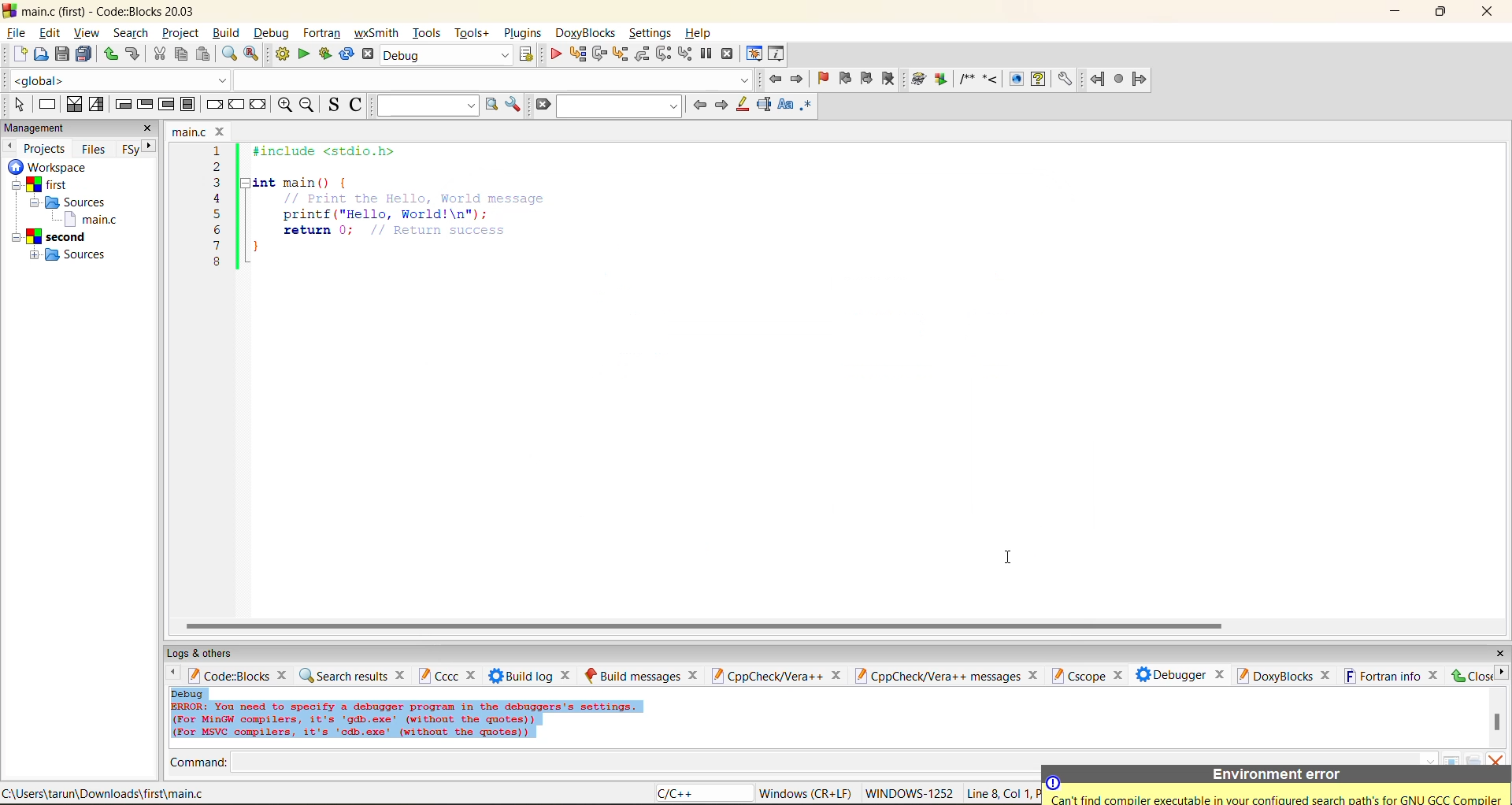  What do you see at coordinates (684, 54) in the screenshot?
I see `step into instruction` at bounding box center [684, 54].